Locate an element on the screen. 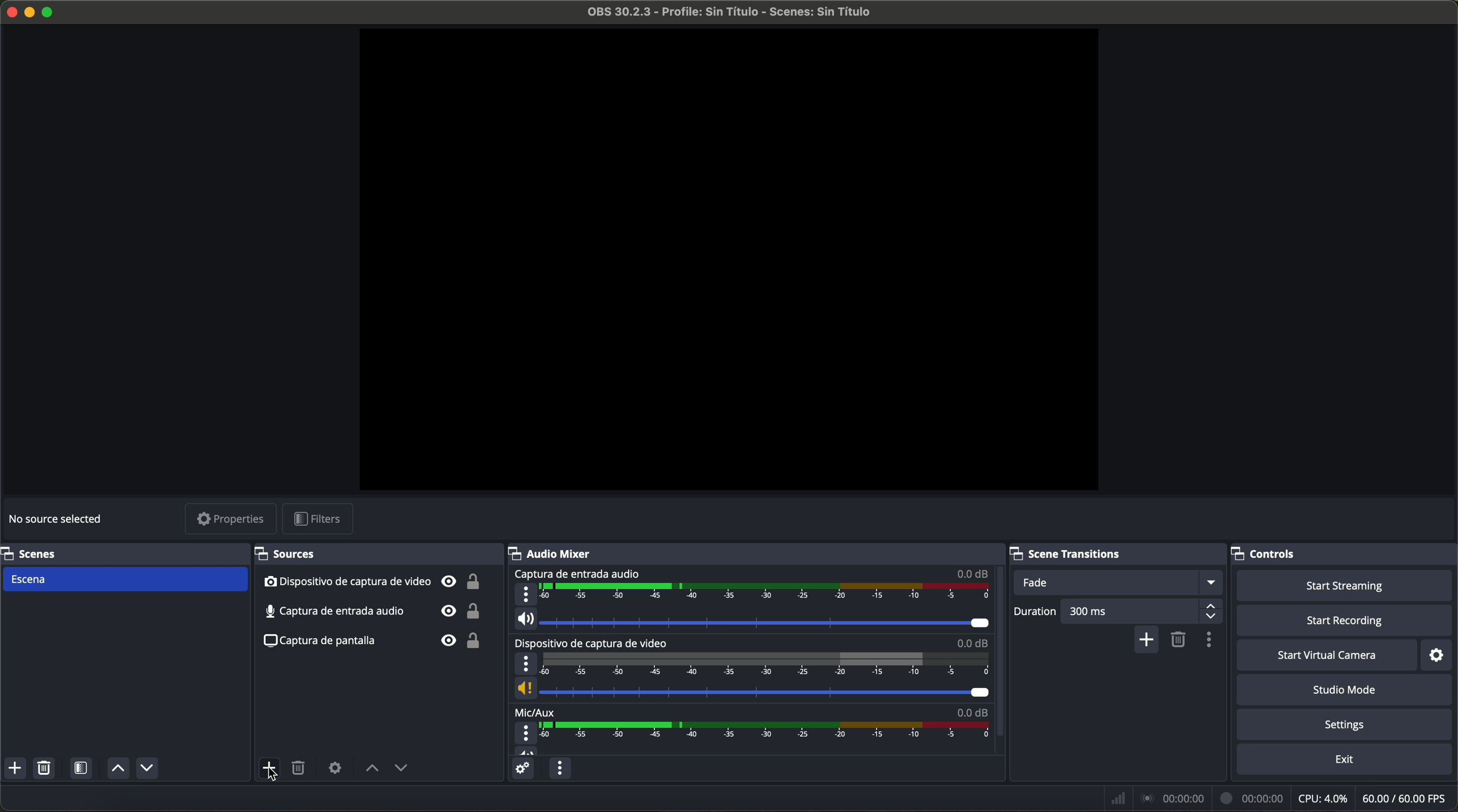 The width and height of the screenshot is (1458, 812). scroll down is located at coordinates (1001, 640).